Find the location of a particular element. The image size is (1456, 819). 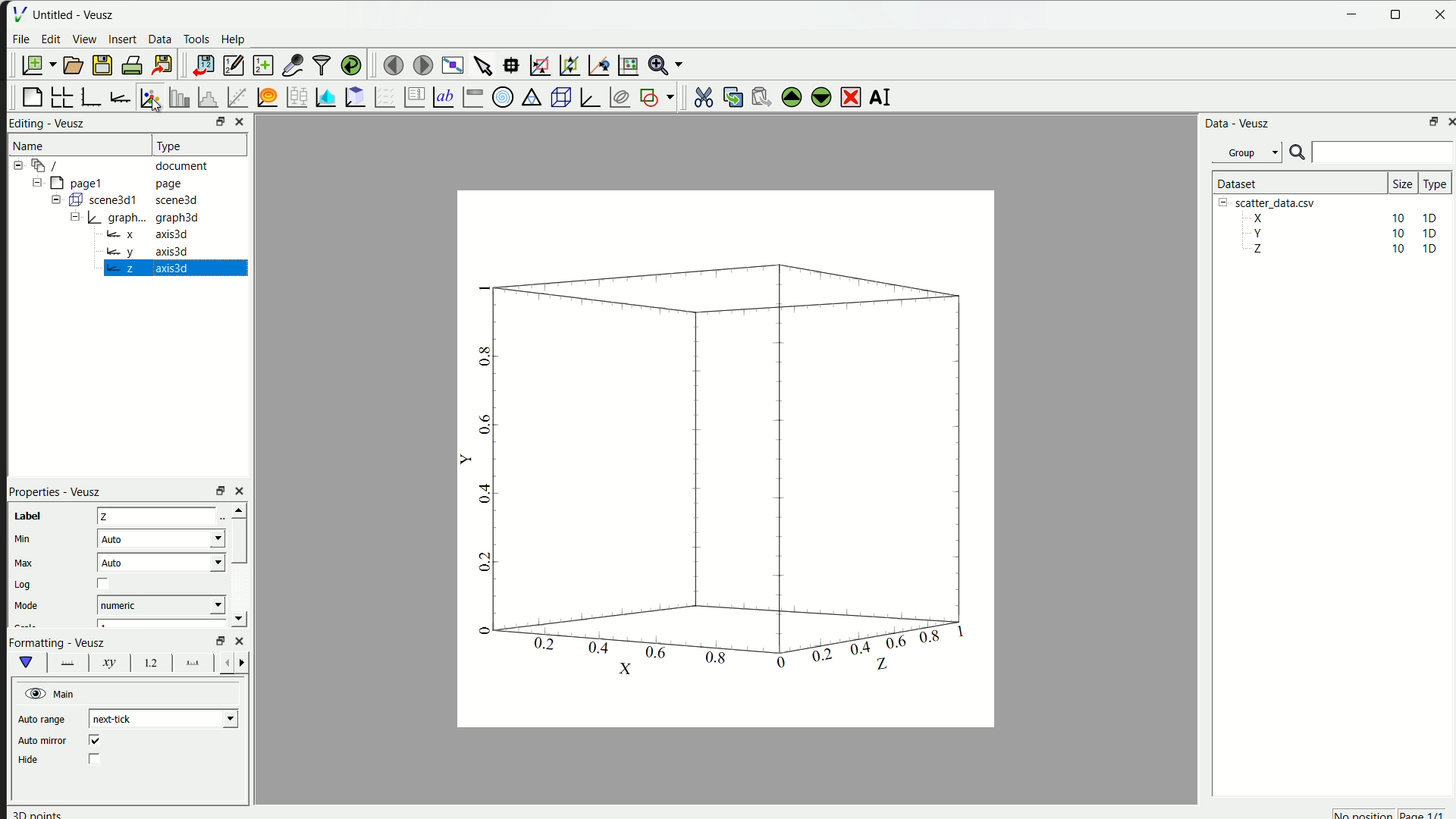

| next-tick is located at coordinates (162, 720).